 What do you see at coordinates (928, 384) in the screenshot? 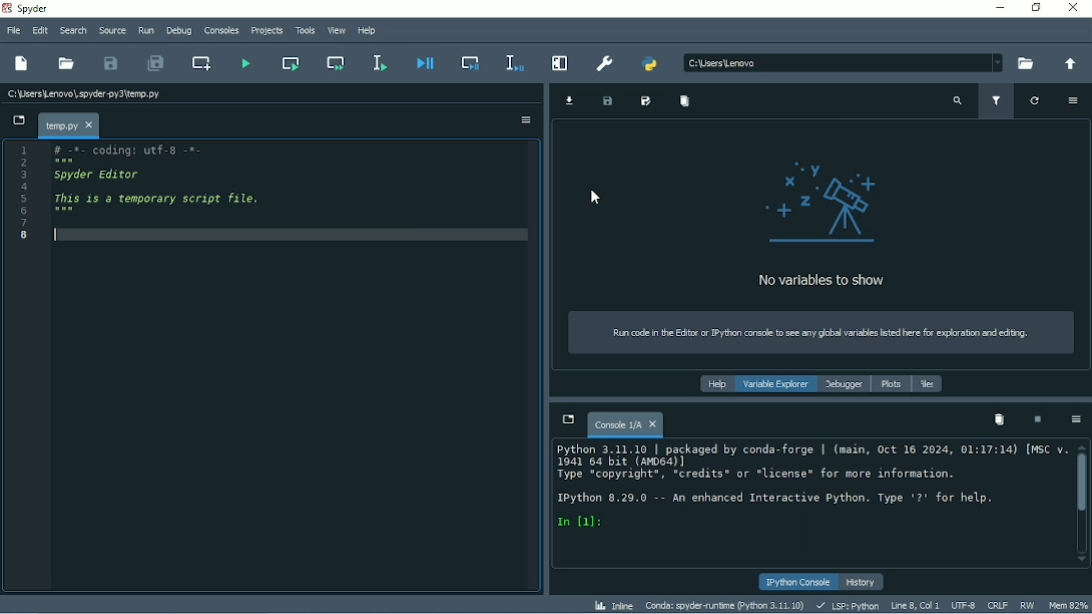
I see `Files` at bounding box center [928, 384].